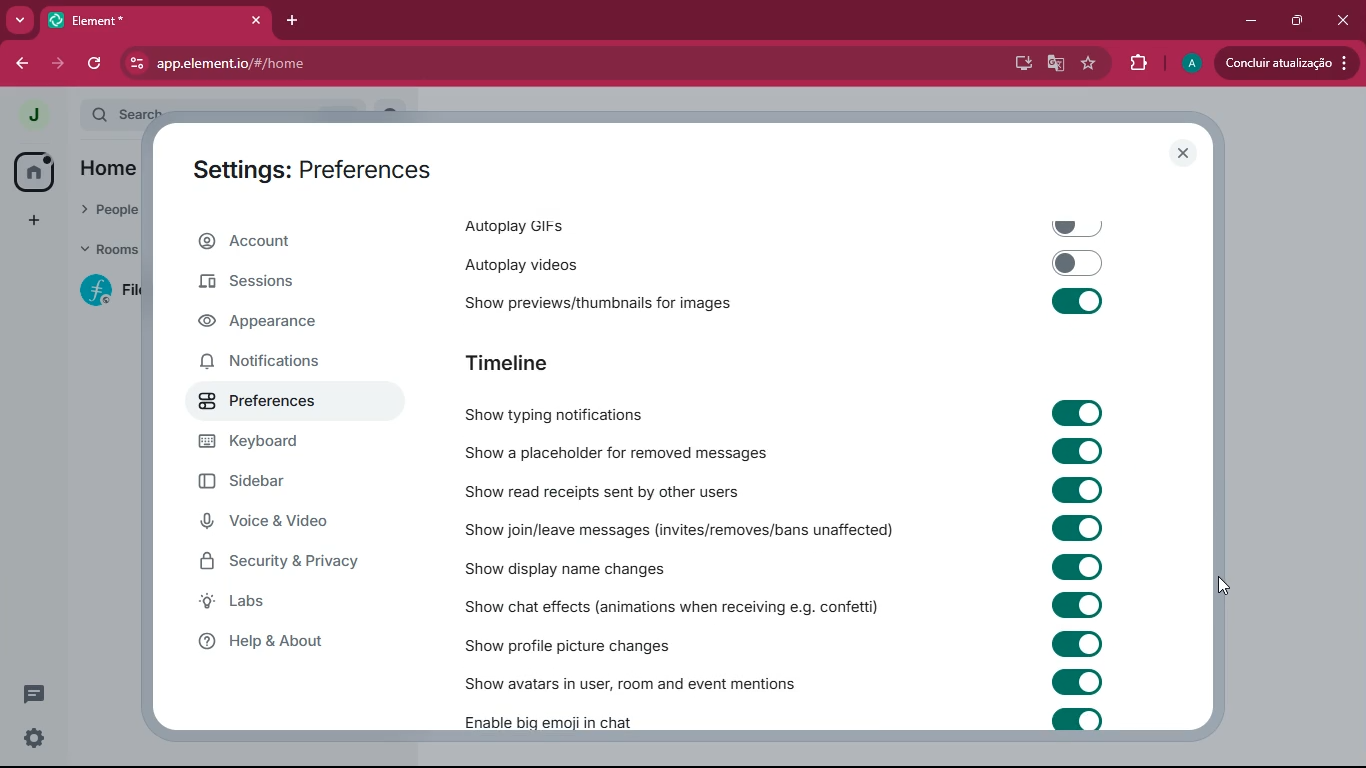  What do you see at coordinates (582, 364) in the screenshot?
I see `timeline` at bounding box center [582, 364].